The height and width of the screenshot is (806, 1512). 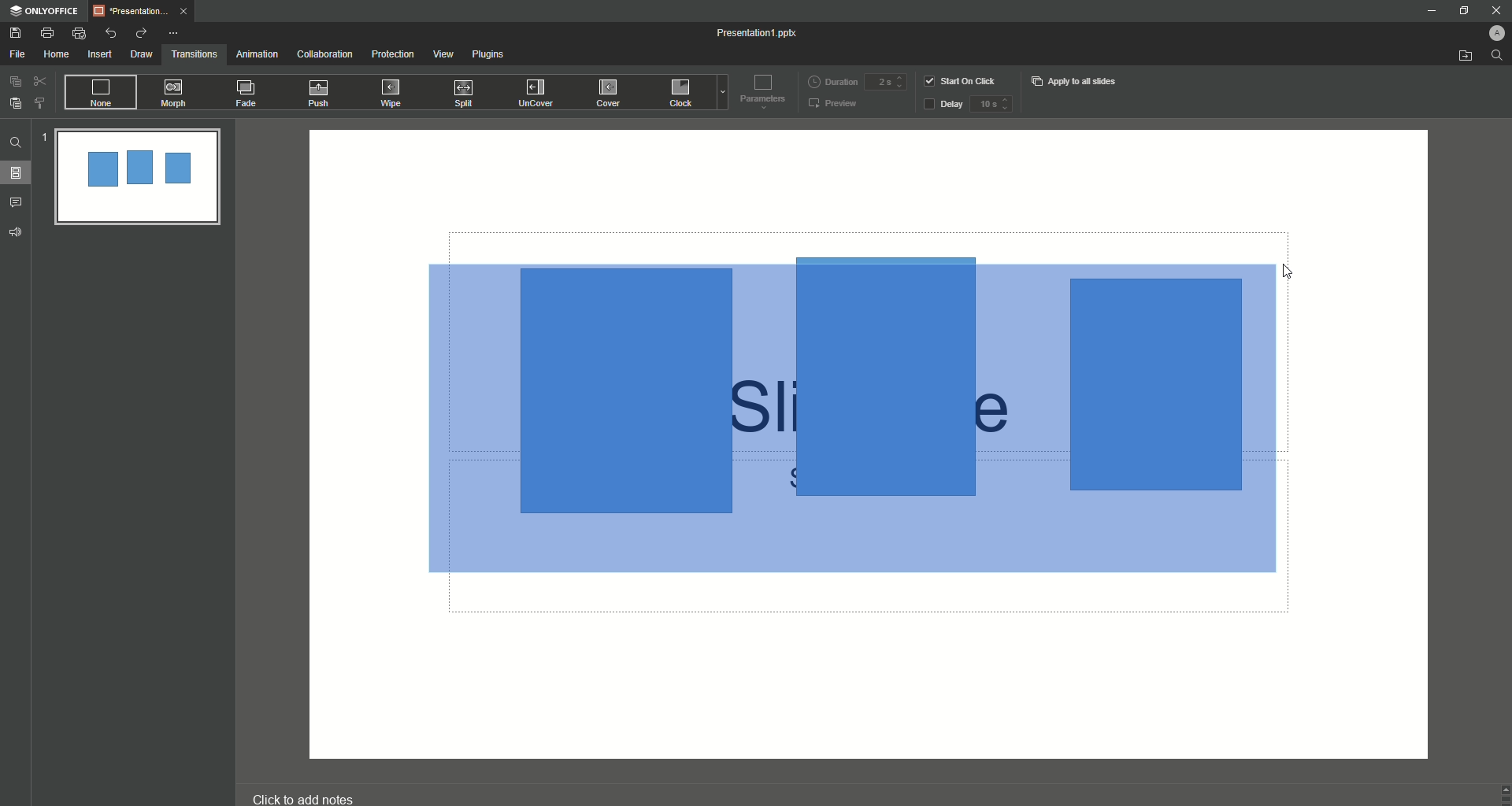 I want to click on Find, so click(x=16, y=142).